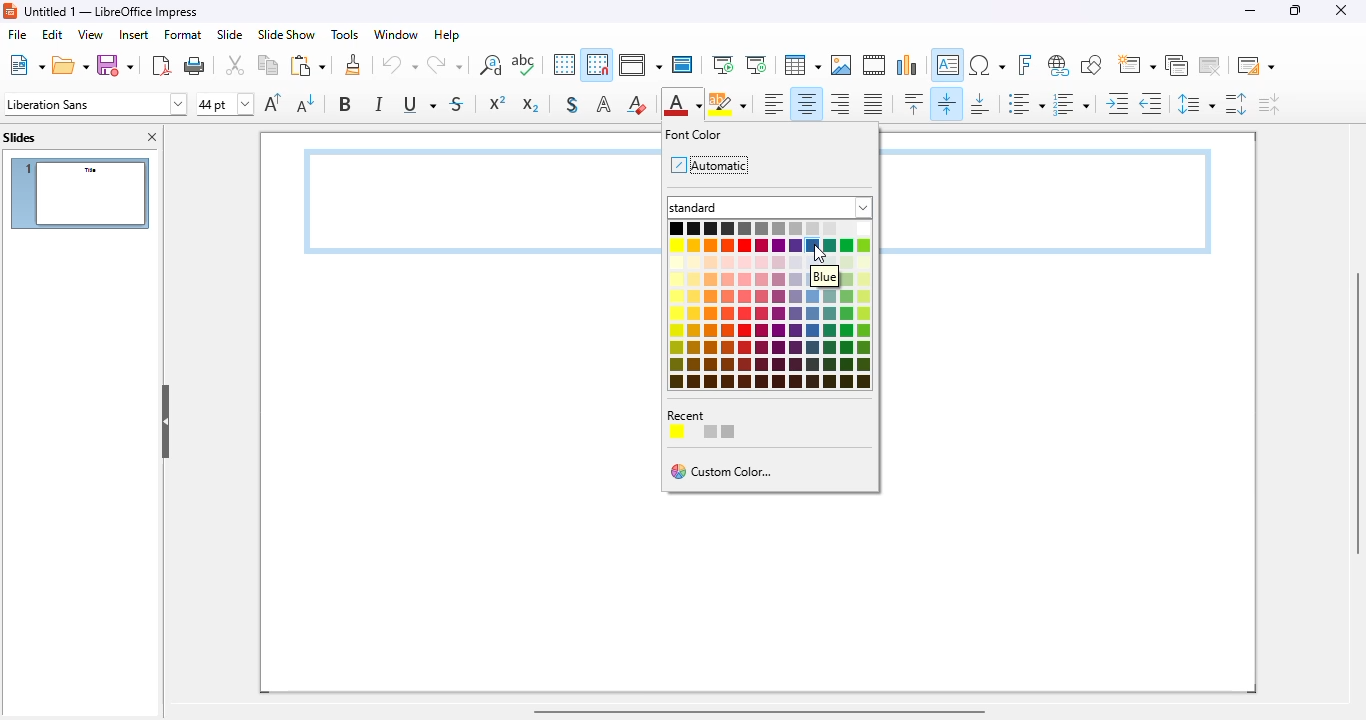 This screenshot has width=1366, height=720. What do you see at coordinates (308, 65) in the screenshot?
I see `paste` at bounding box center [308, 65].